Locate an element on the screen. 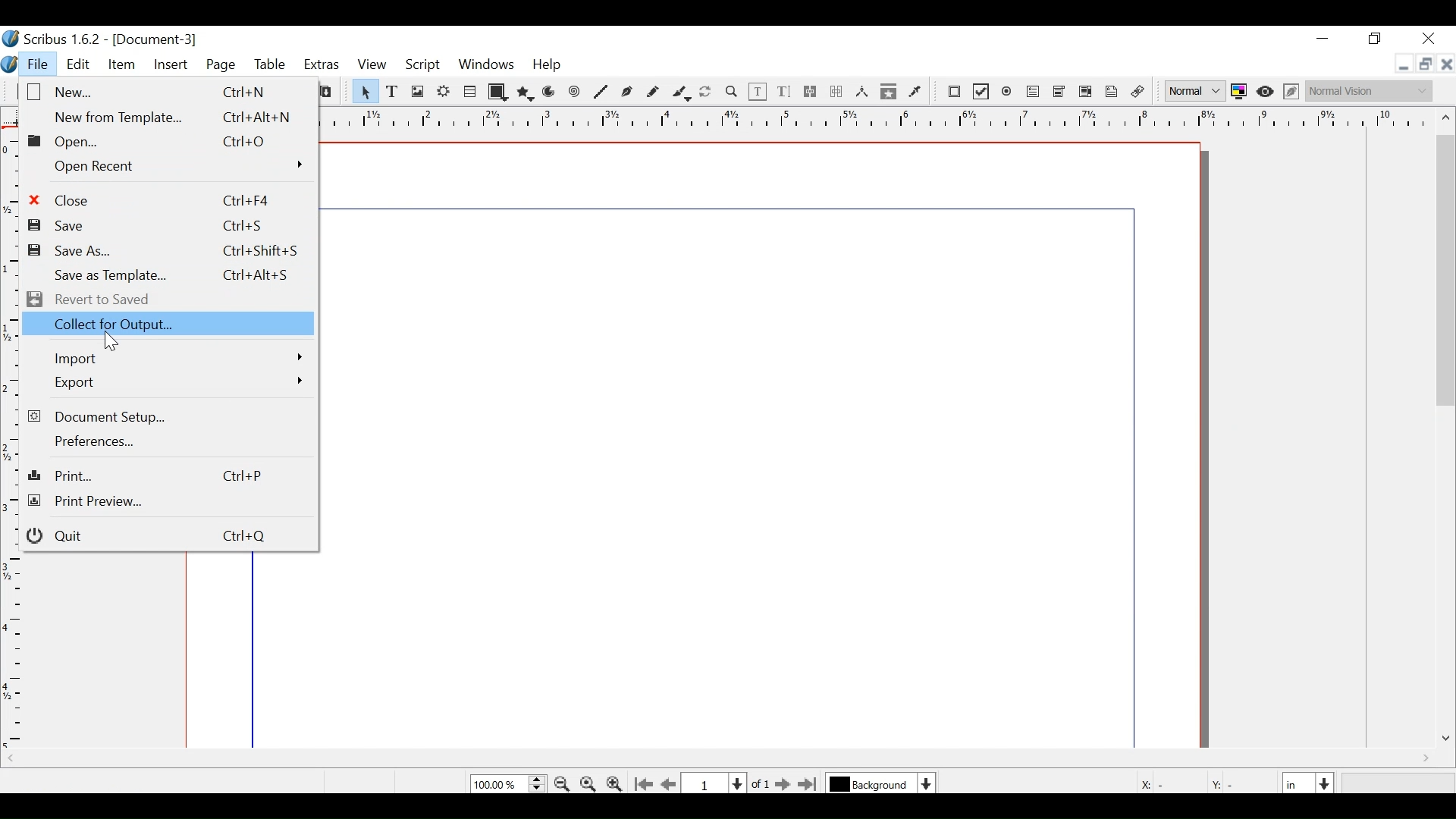 The image size is (1456, 819). Close is located at coordinates (153, 199).